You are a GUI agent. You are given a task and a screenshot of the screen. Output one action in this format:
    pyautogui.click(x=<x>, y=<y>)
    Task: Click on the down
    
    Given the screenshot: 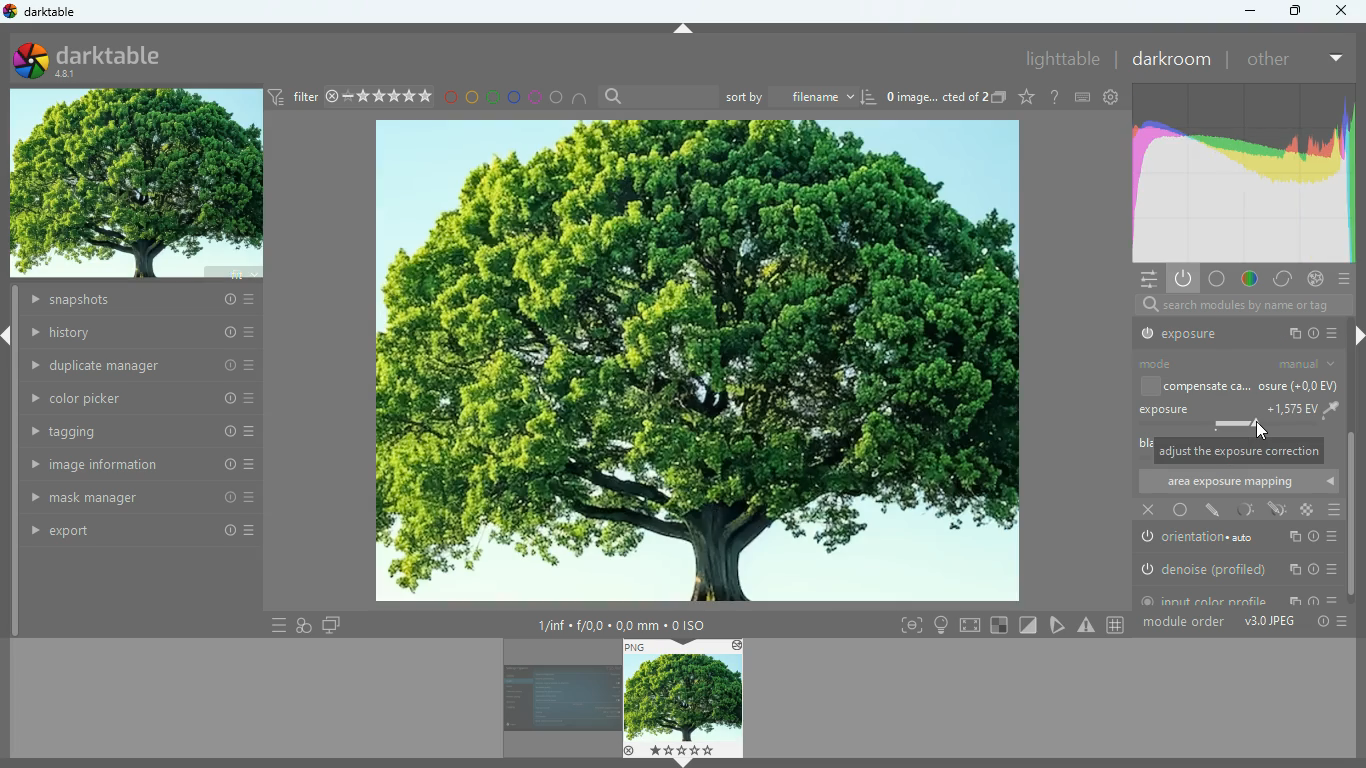 What is the action you would take?
    pyautogui.click(x=684, y=763)
    